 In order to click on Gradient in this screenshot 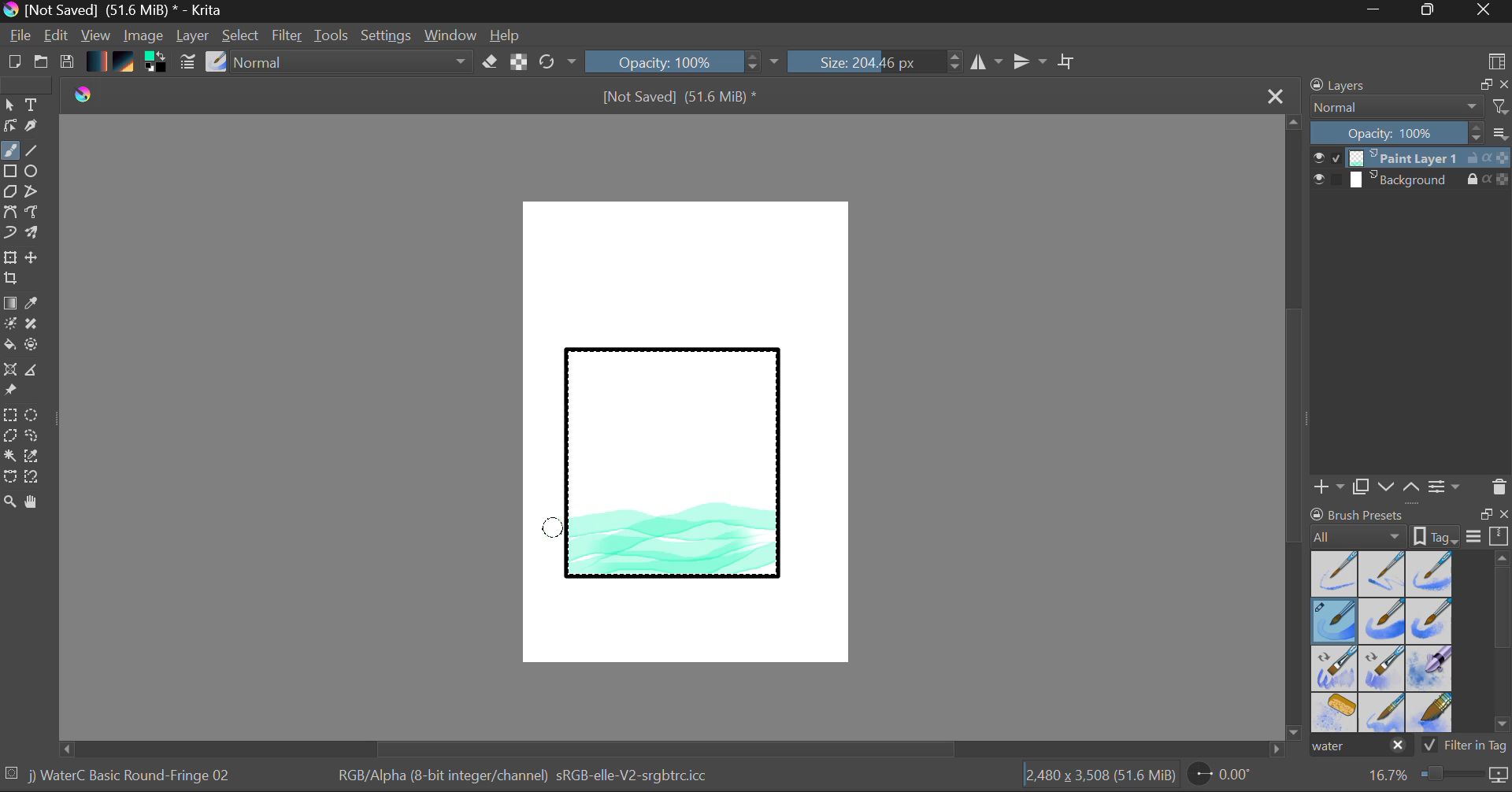, I will do `click(95, 60)`.